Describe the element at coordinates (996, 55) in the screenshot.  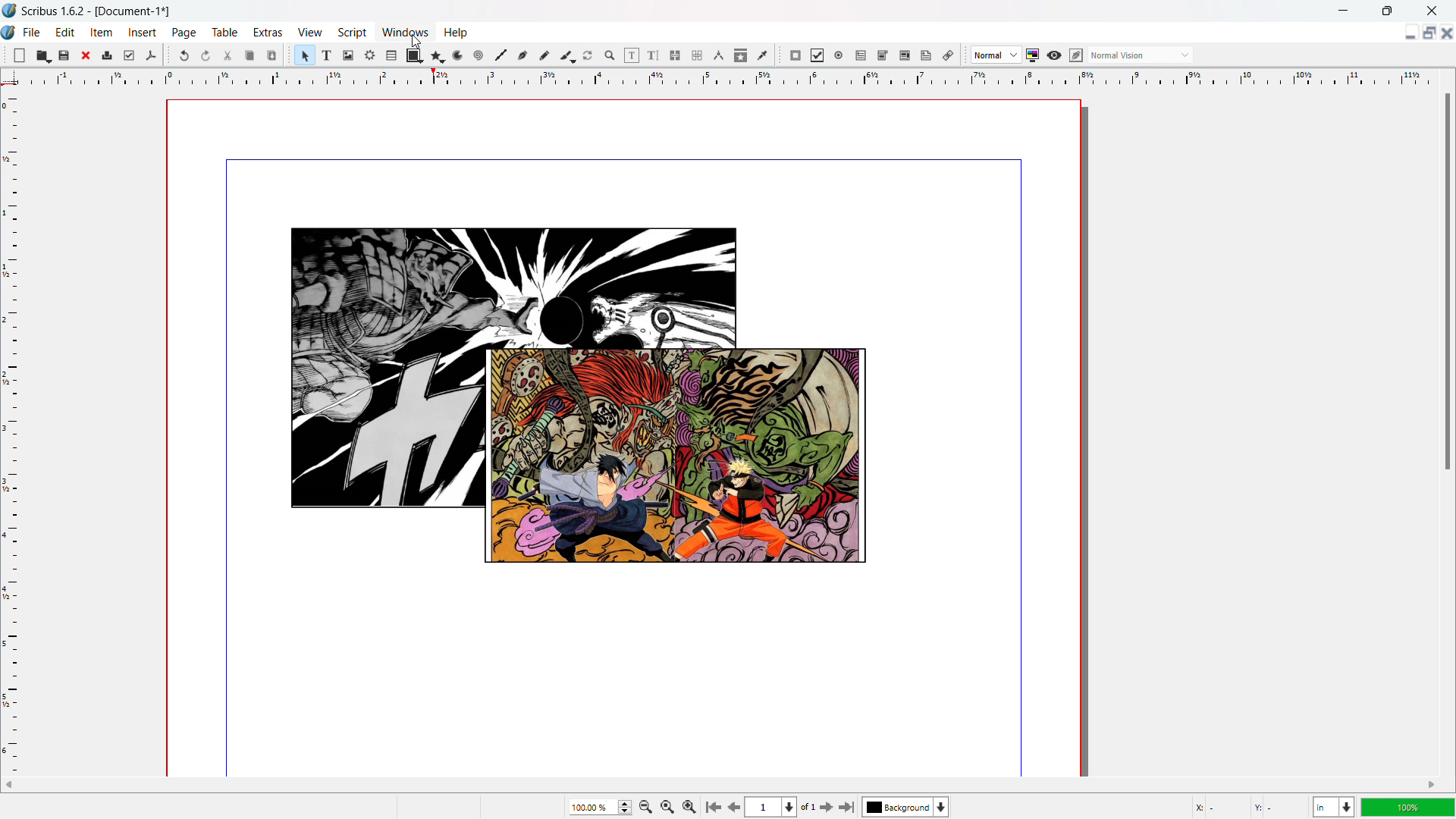
I see `select image preview` at that location.